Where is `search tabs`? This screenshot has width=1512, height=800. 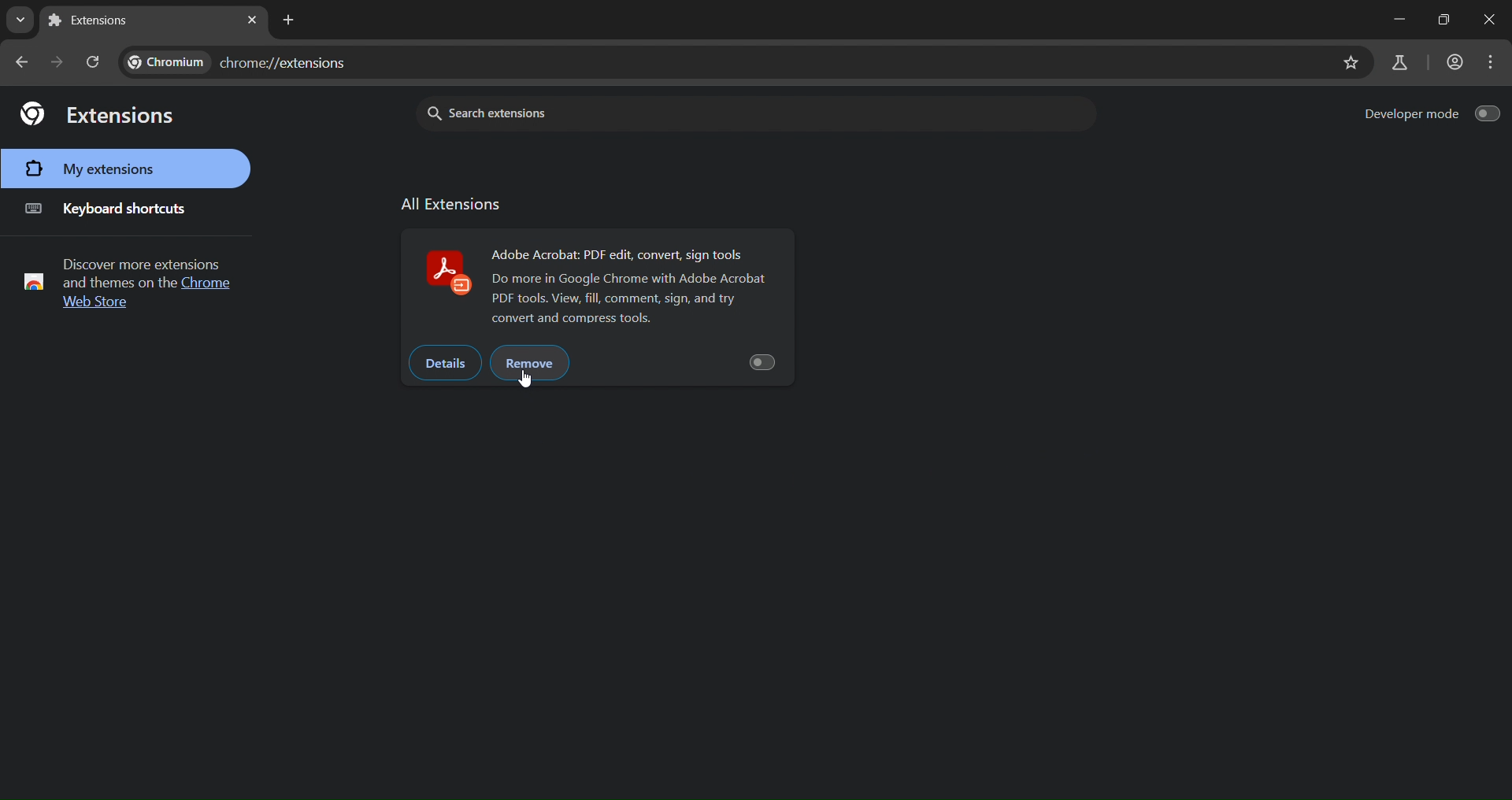 search tabs is located at coordinates (19, 22).